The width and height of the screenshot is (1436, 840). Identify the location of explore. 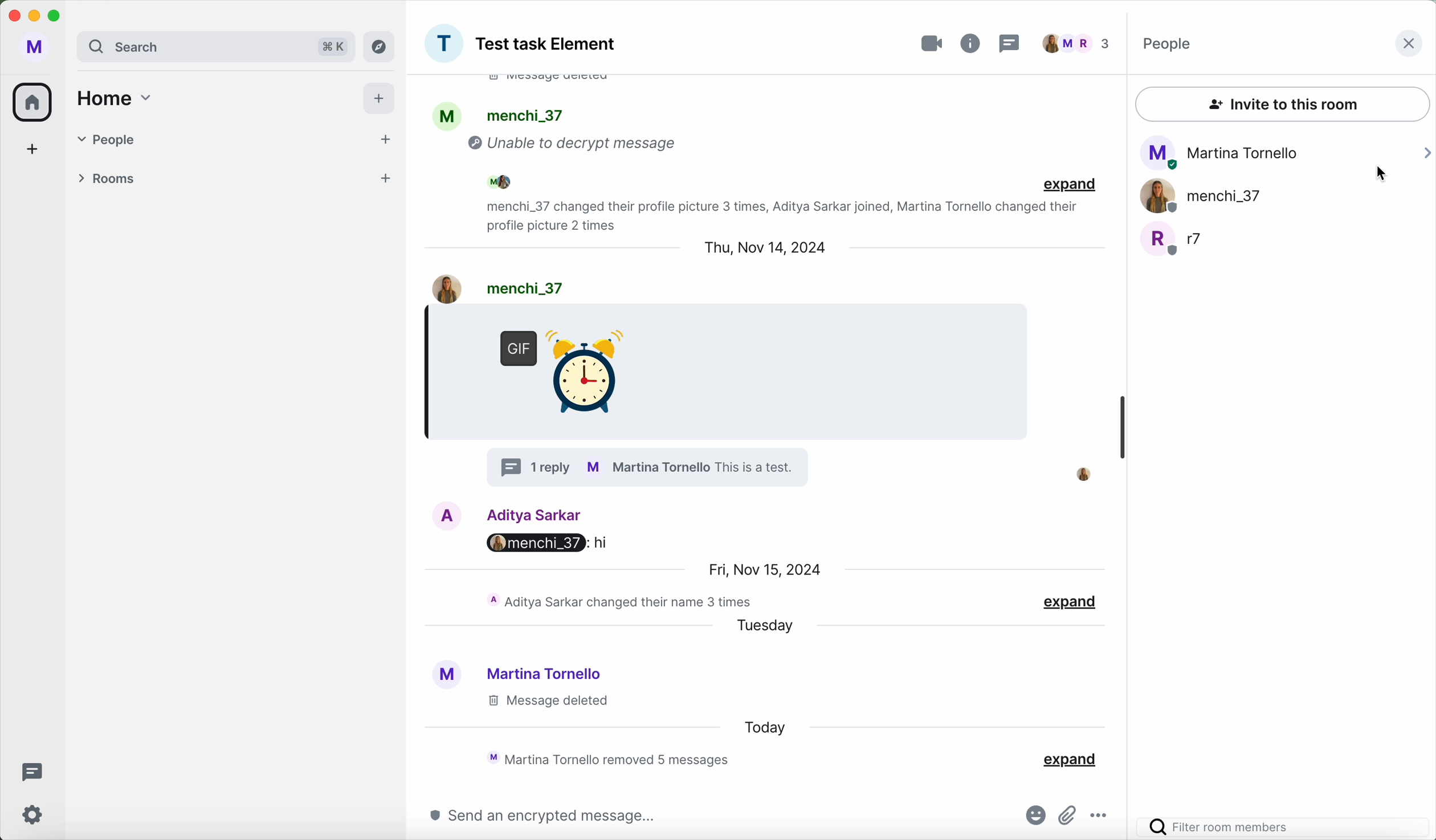
(380, 46).